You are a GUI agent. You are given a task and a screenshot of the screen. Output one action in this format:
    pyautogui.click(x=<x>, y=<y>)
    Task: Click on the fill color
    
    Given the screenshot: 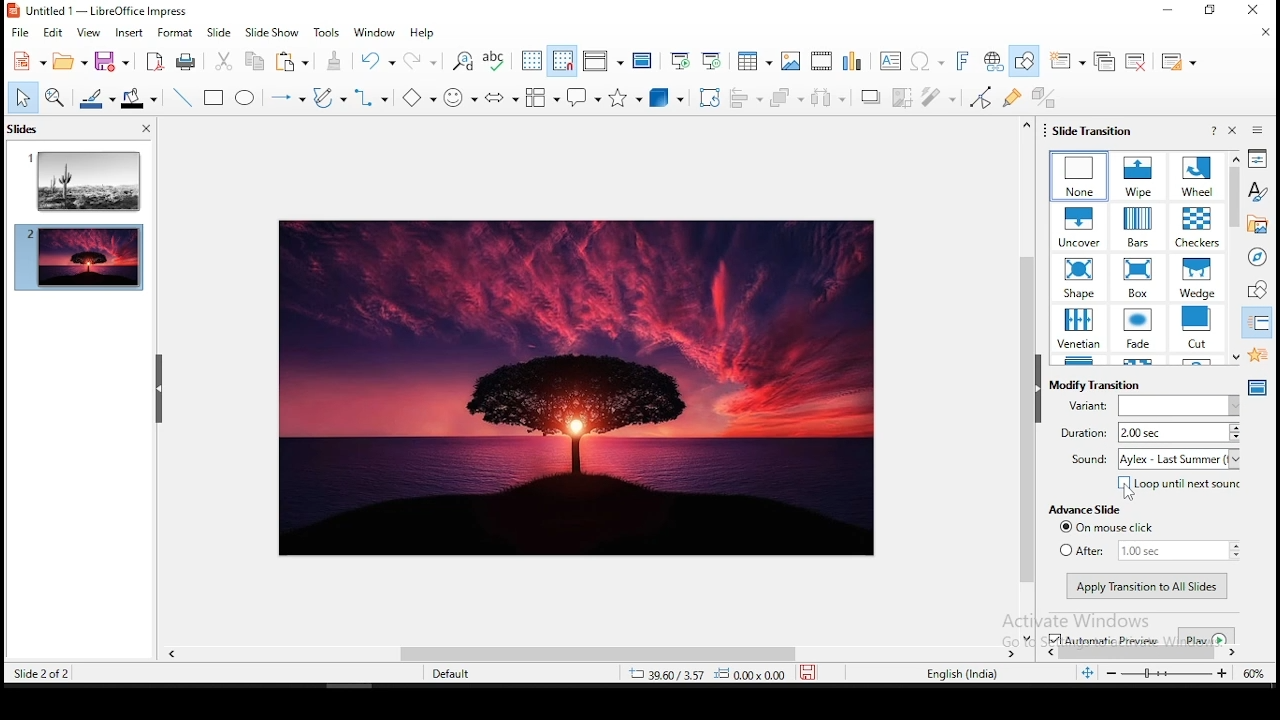 What is the action you would take?
    pyautogui.click(x=139, y=98)
    